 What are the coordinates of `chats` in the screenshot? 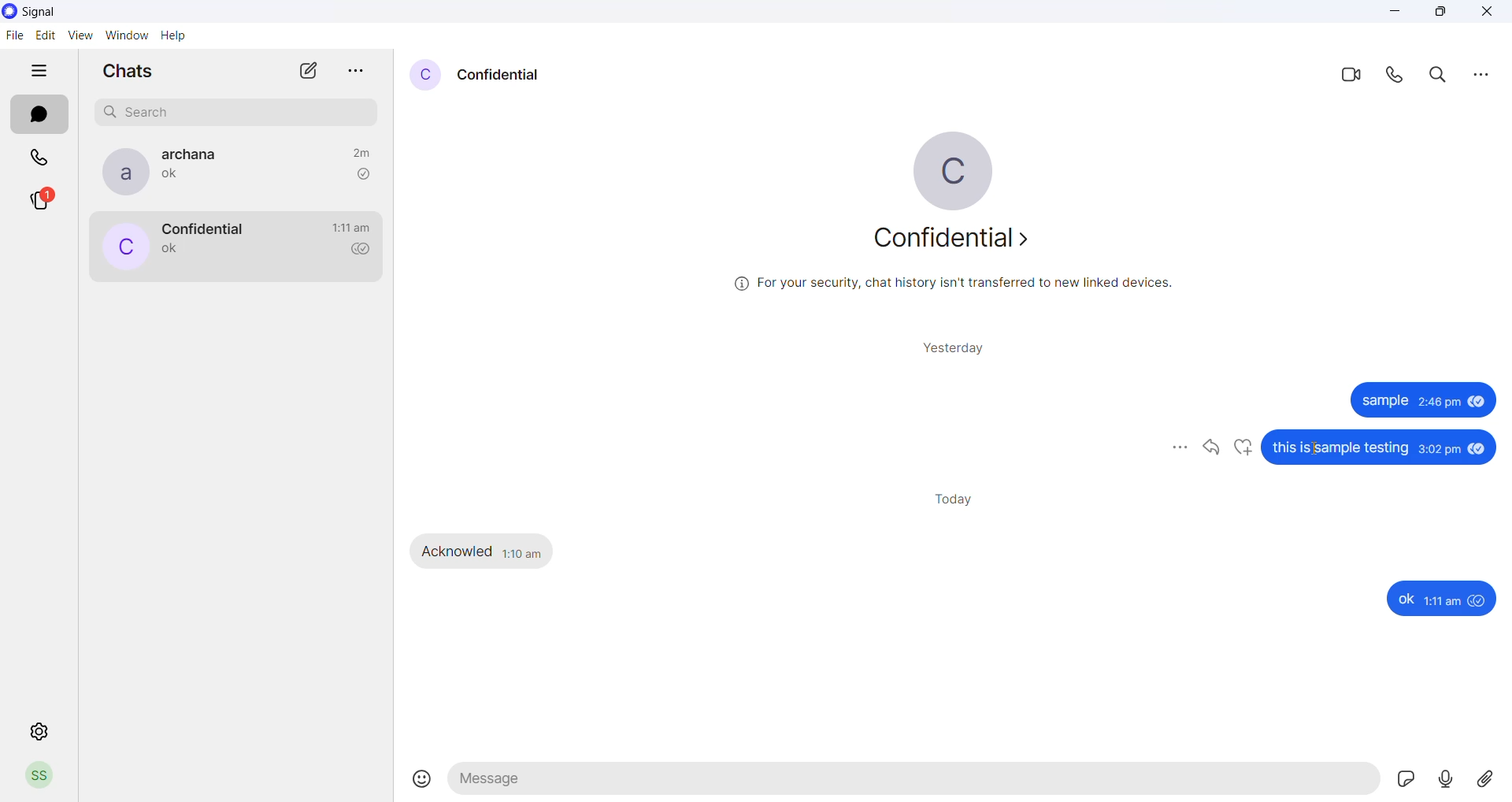 It's located at (39, 115).